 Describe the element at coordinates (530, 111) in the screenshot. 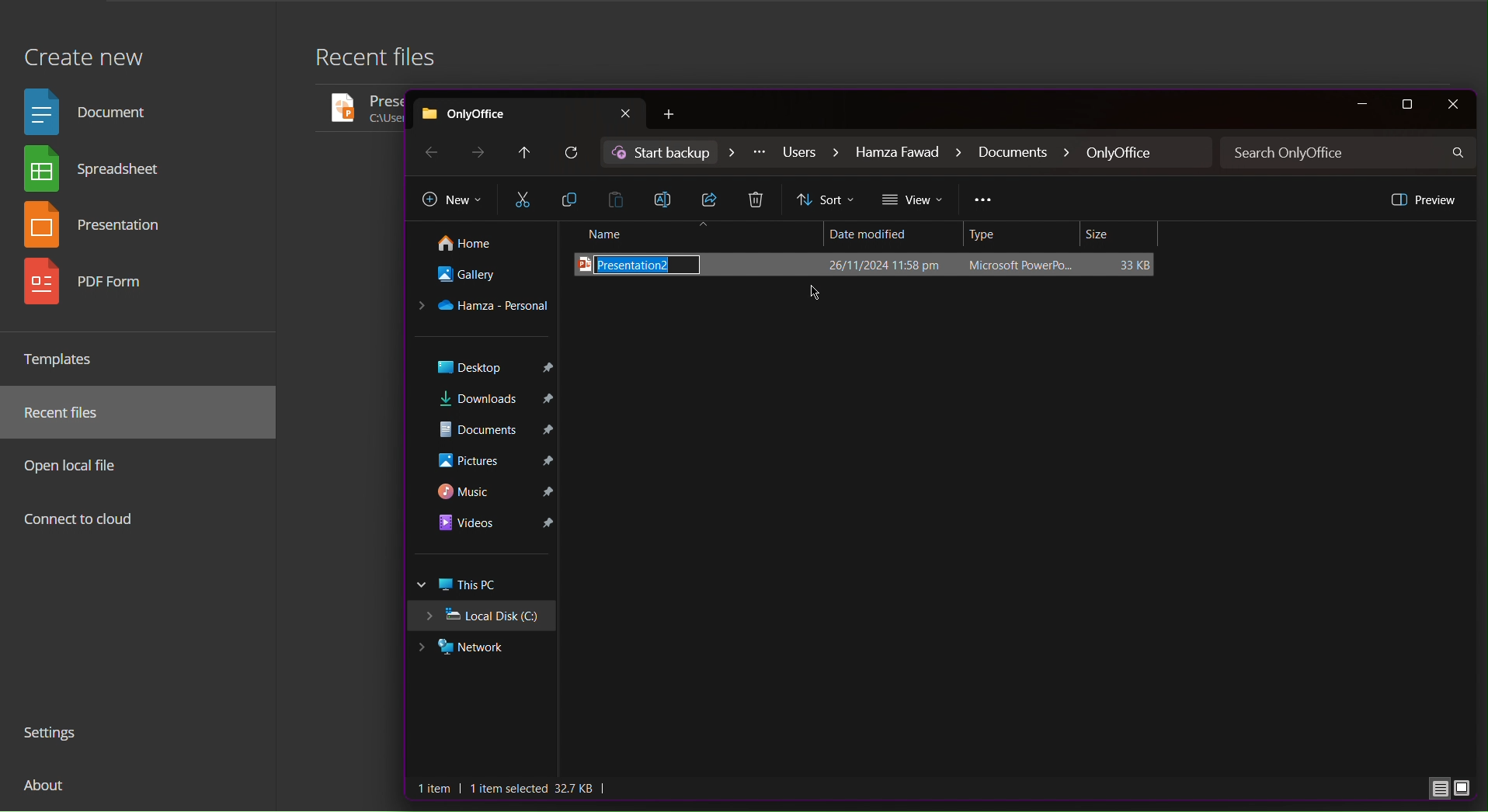

I see `OnlyOffice` at that location.